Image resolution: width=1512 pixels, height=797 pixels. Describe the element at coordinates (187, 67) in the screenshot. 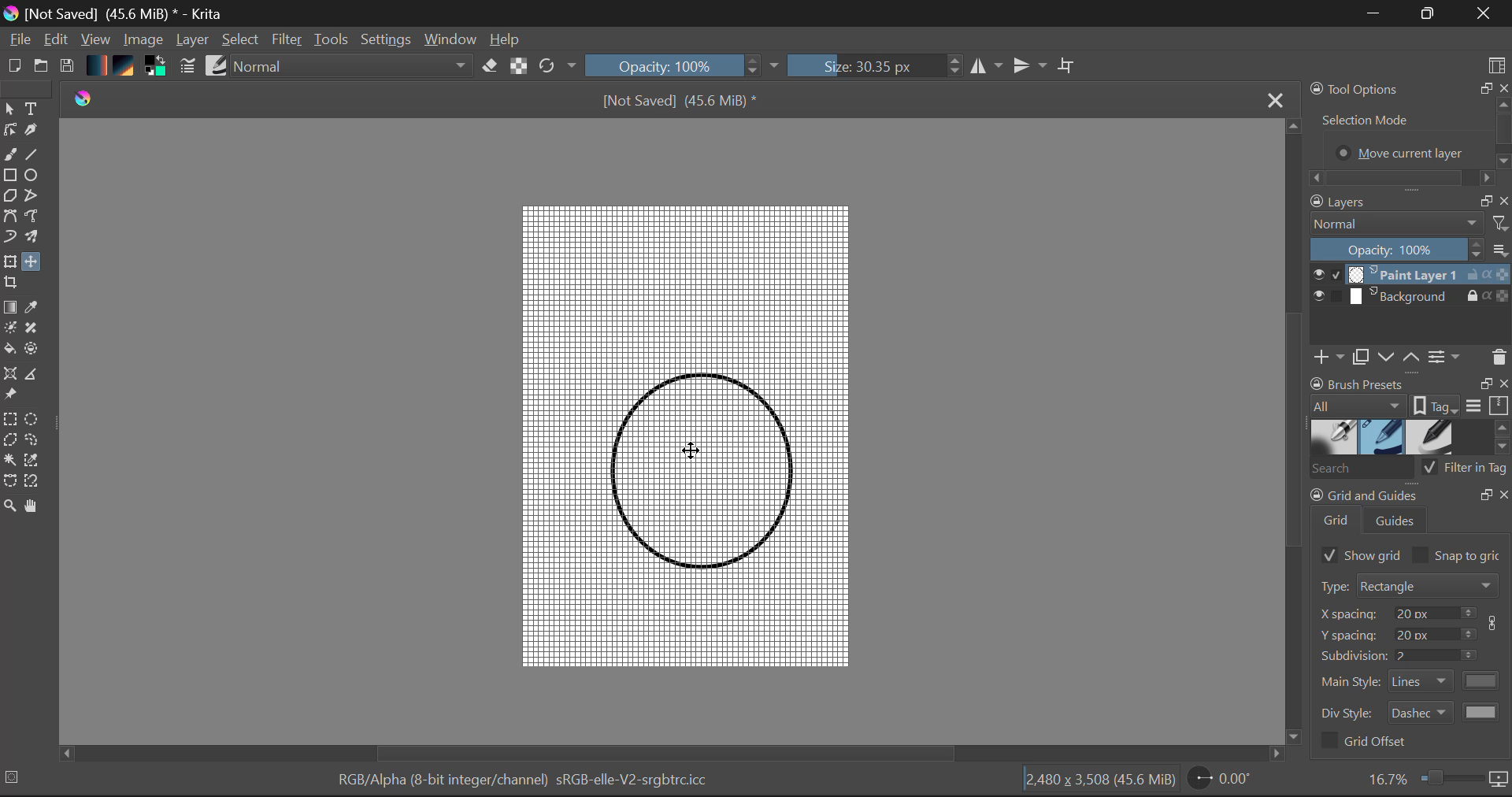

I see `Brush Settings` at that location.